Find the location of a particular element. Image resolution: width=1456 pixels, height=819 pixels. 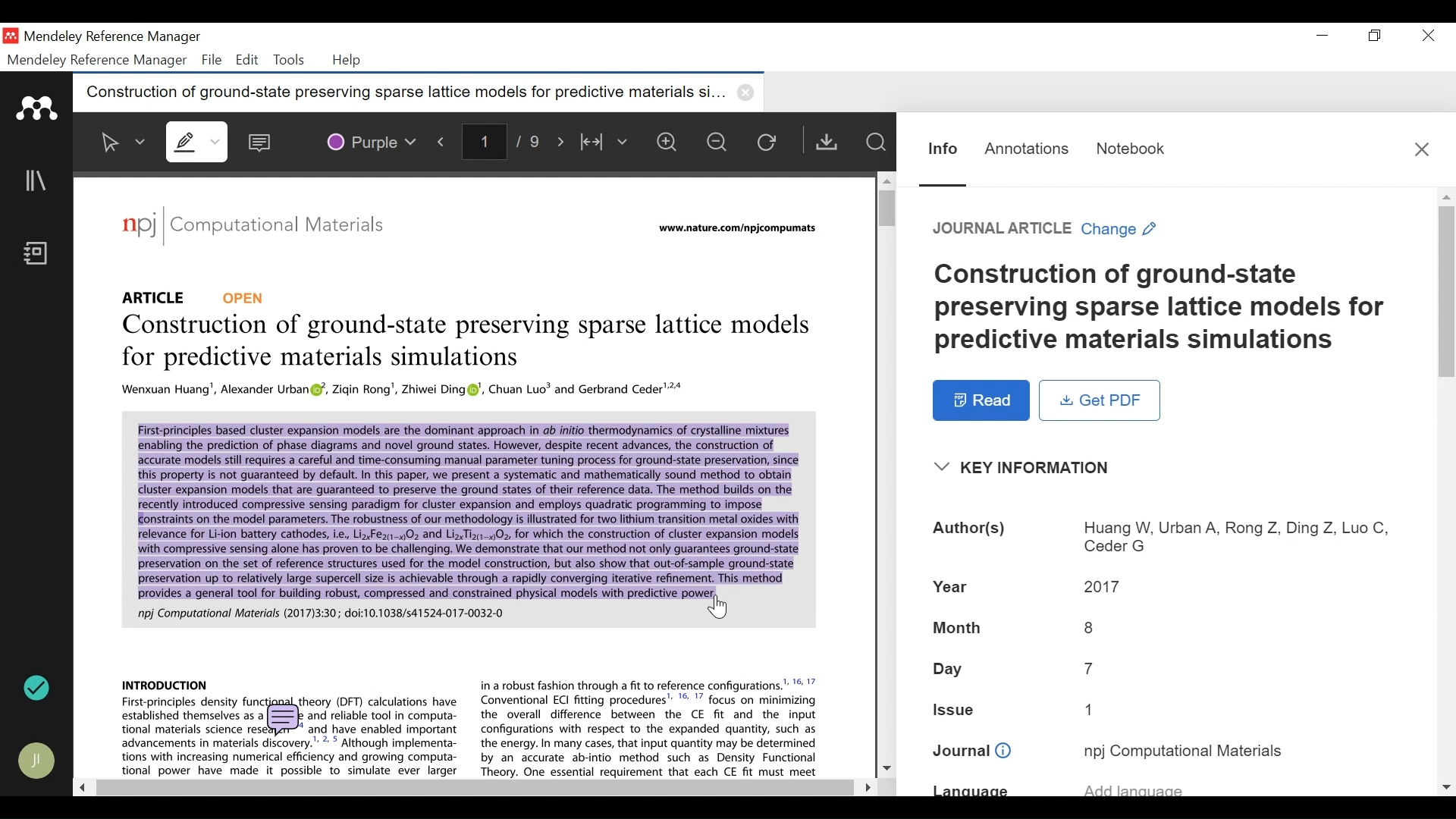

Insertion cursor is located at coordinates (721, 608).